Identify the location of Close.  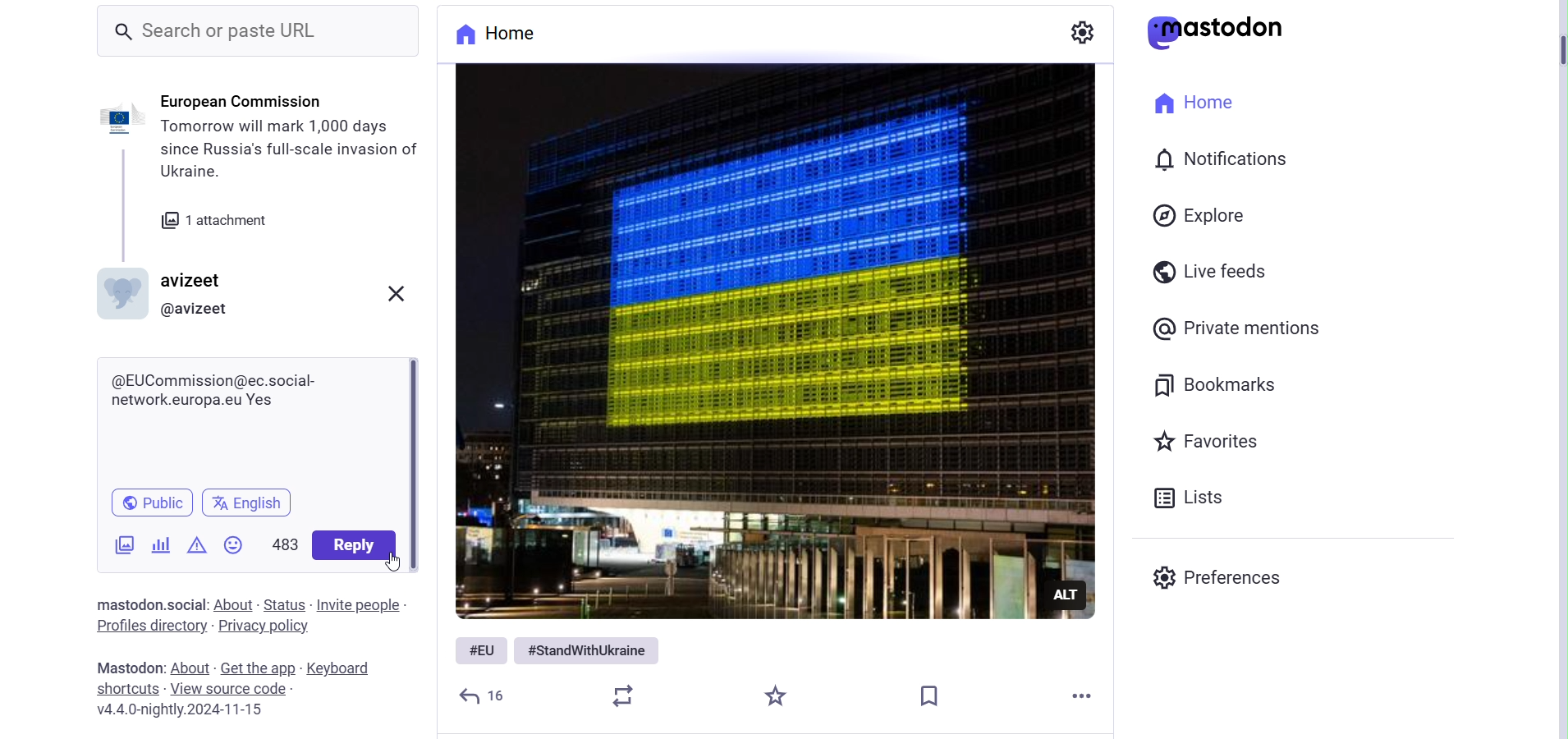
(395, 295).